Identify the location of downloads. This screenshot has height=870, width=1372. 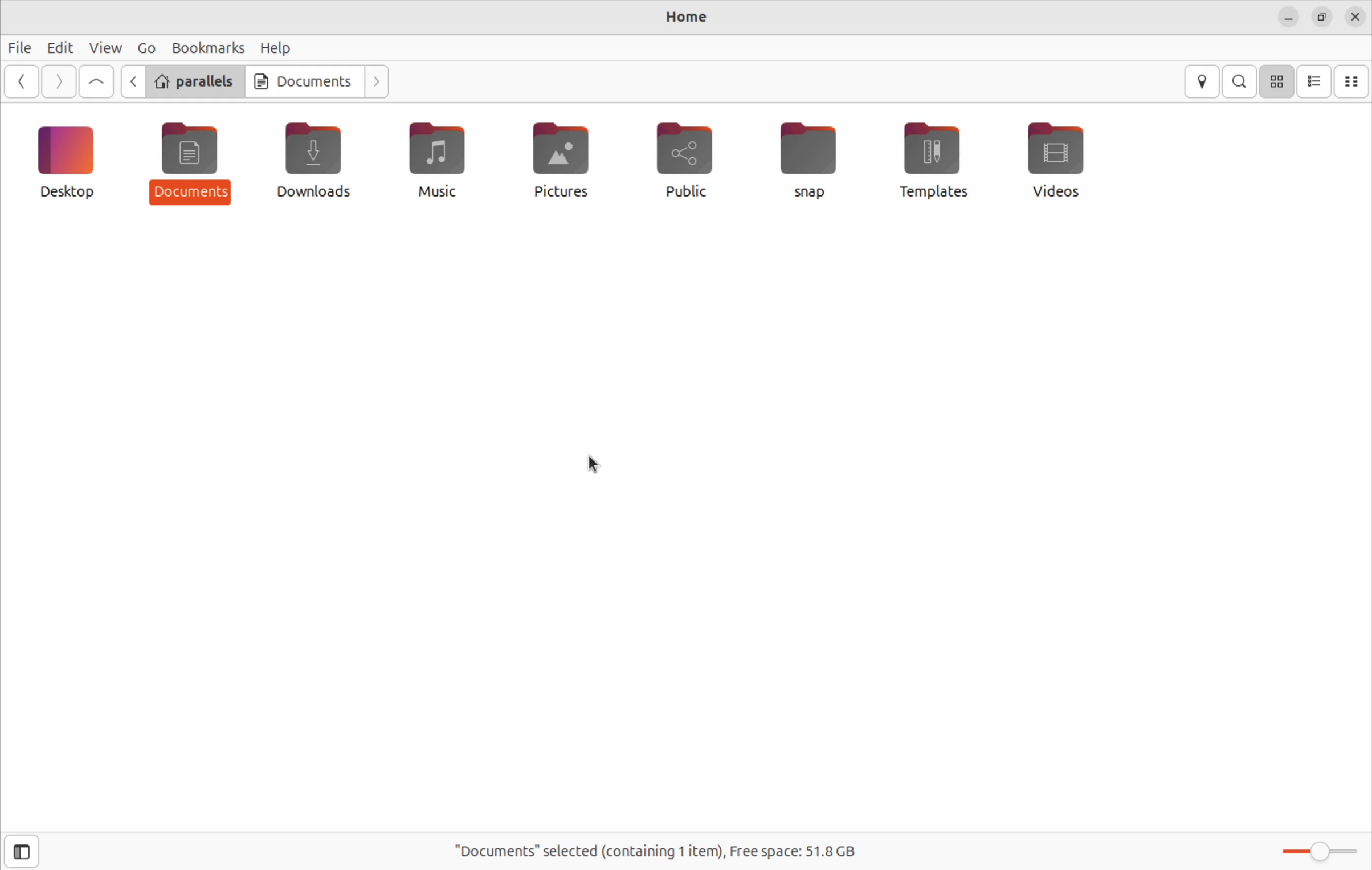
(314, 156).